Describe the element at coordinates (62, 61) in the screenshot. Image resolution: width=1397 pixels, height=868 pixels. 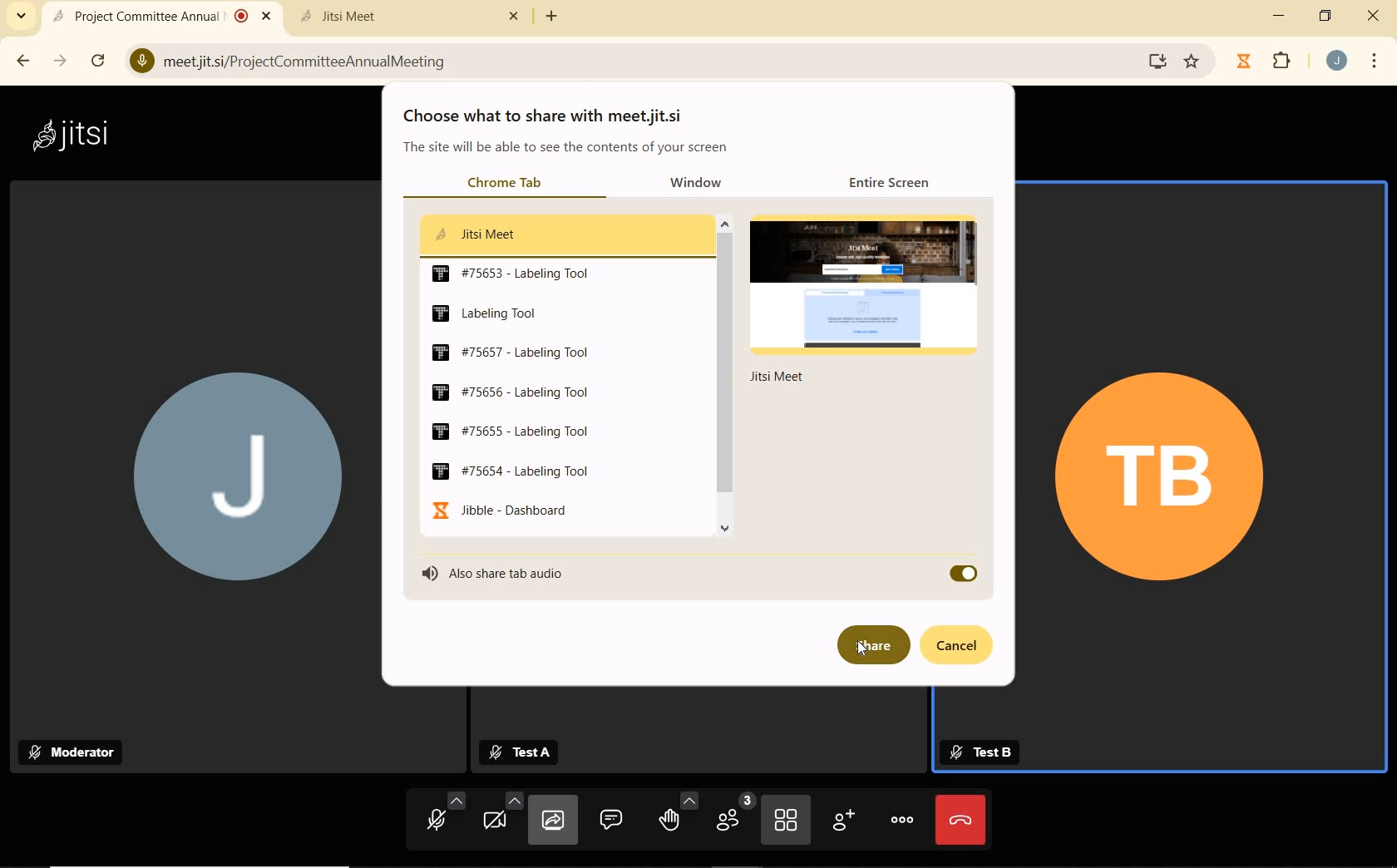
I see `FORWARD` at that location.